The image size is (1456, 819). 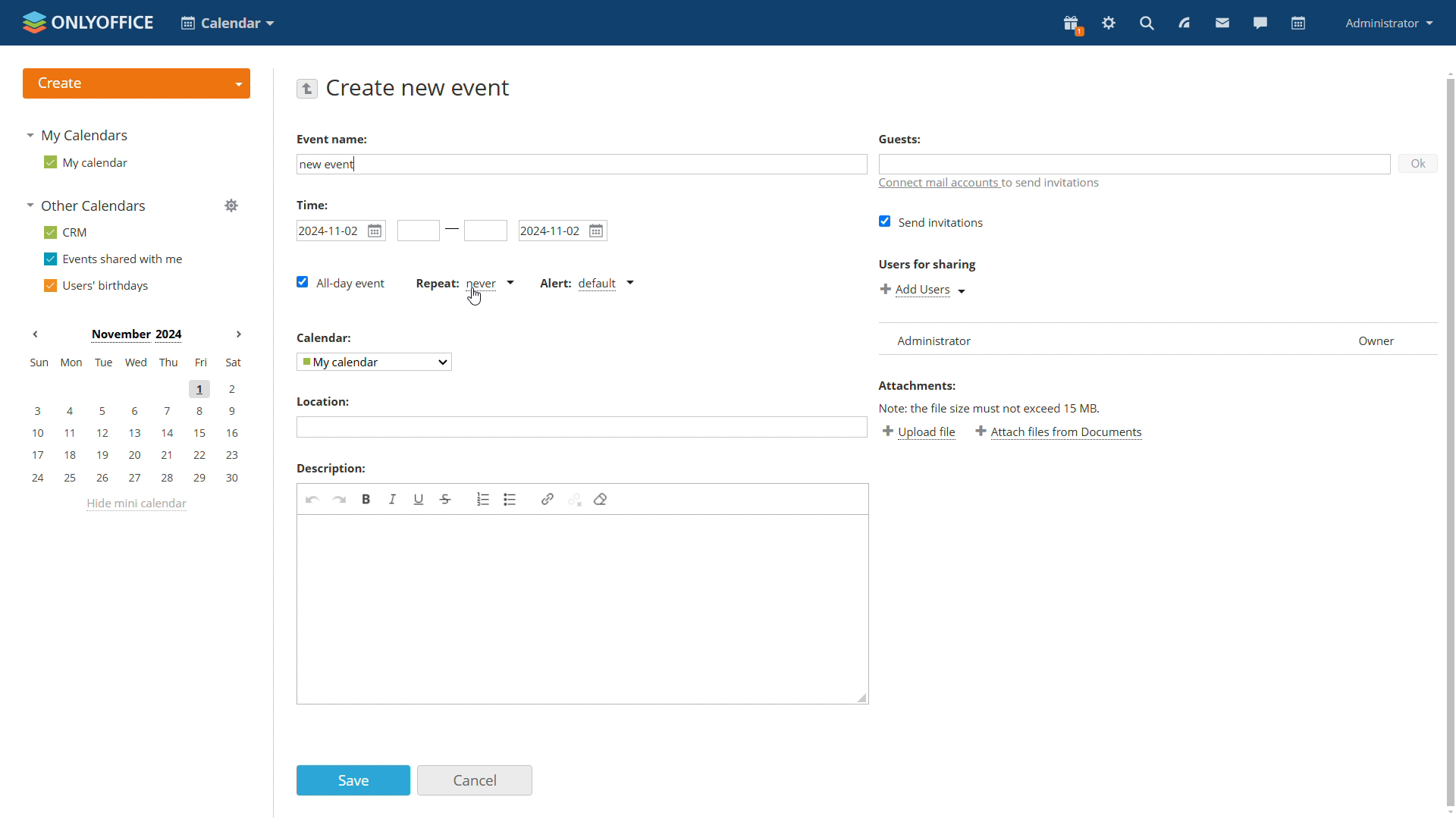 I want to click on crm, so click(x=67, y=232).